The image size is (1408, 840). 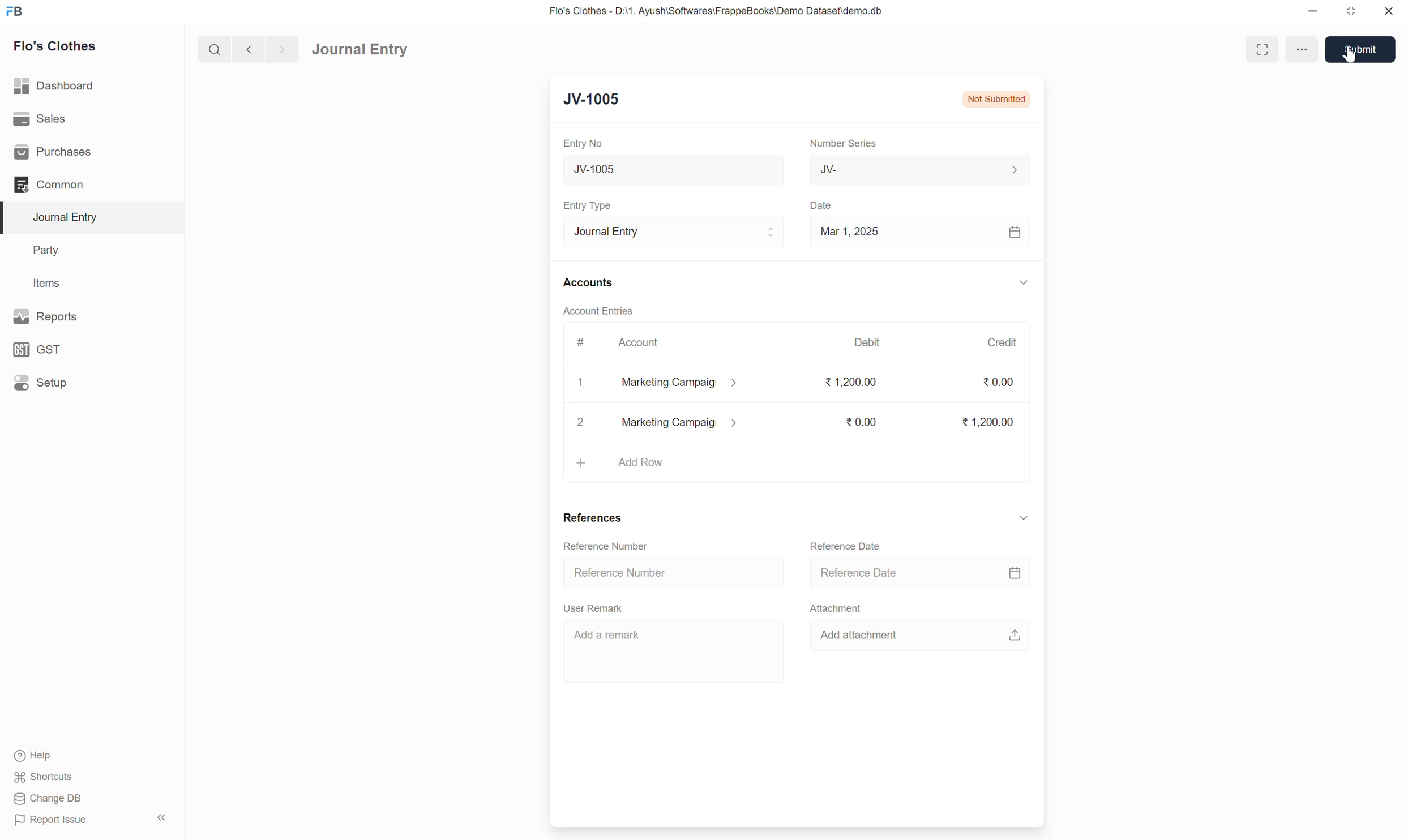 I want to click on GST, so click(x=39, y=350).